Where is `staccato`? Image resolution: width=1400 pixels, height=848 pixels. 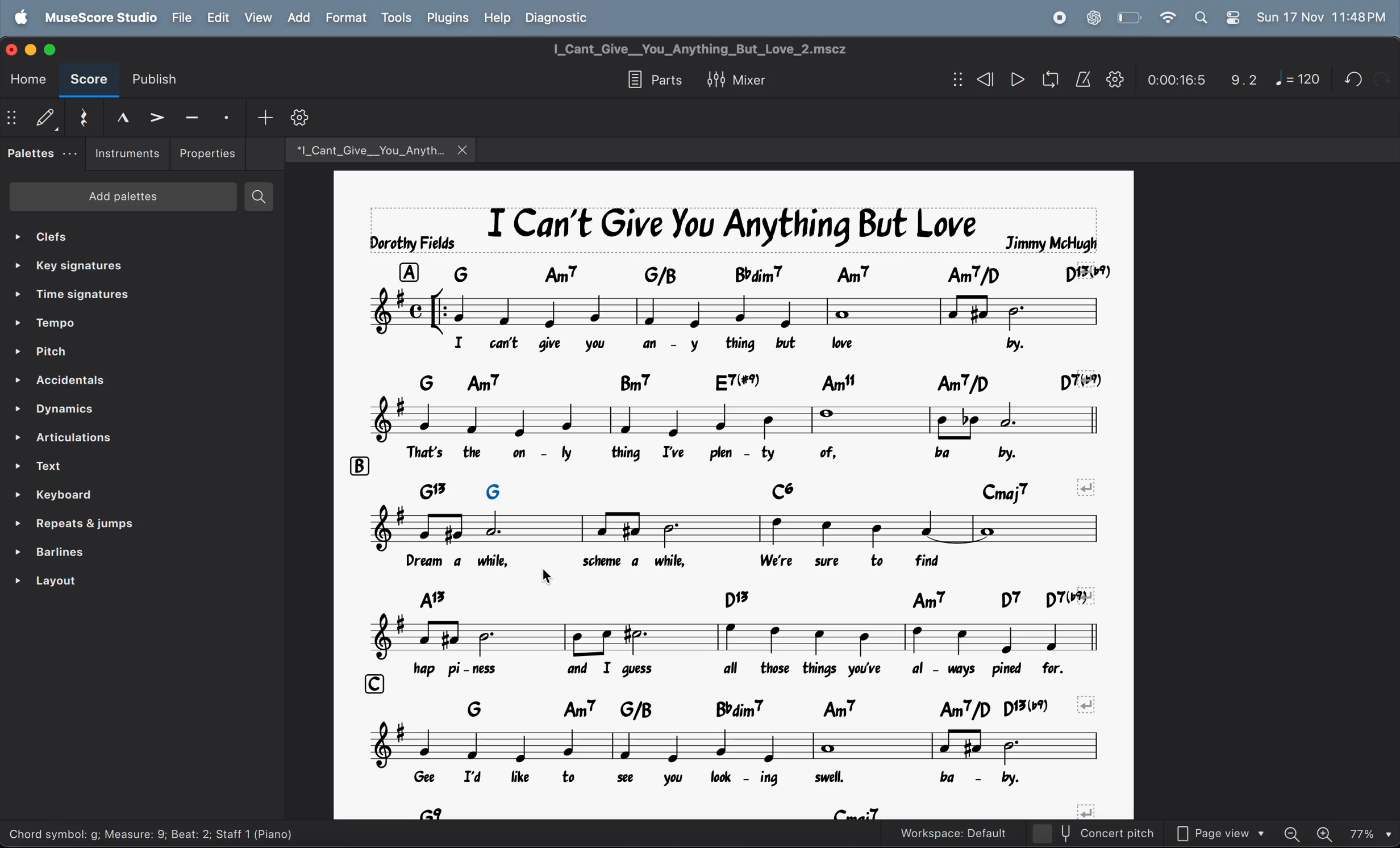
staccato is located at coordinates (230, 117).